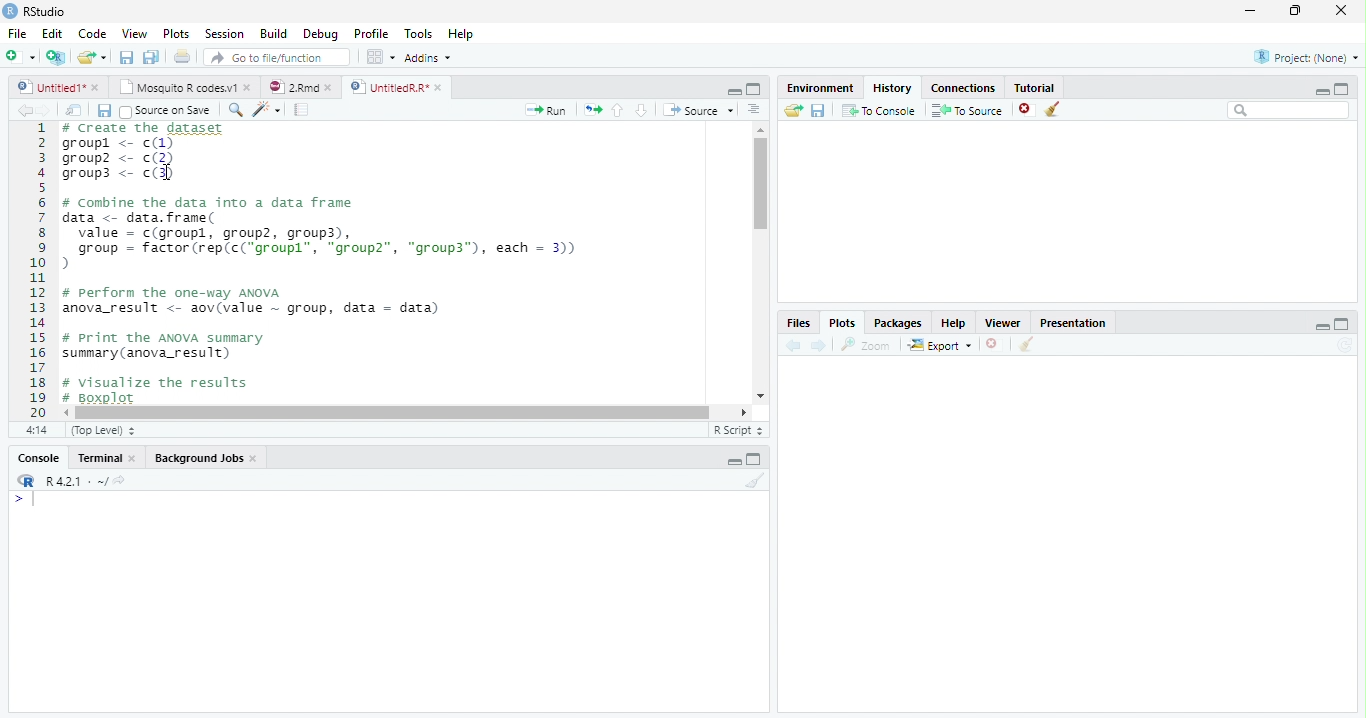 The width and height of the screenshot is (1366, 718). What do you see at coordinates (14, 500) in the screenshot?
I see `>` at bounding box center [14, 500].